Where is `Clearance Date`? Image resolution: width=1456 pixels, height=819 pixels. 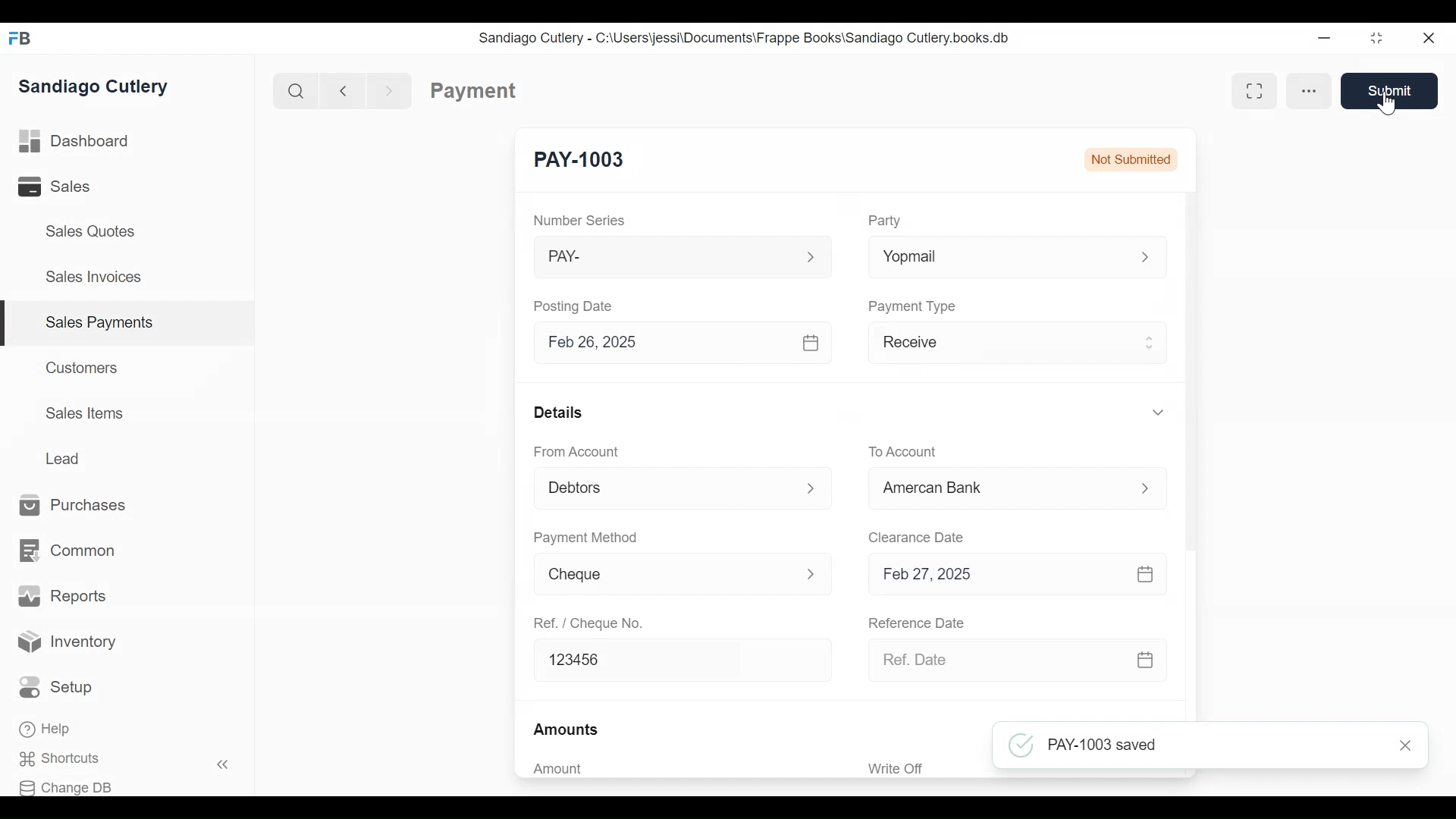
Clearance Date is located at coordinates (918, 535).